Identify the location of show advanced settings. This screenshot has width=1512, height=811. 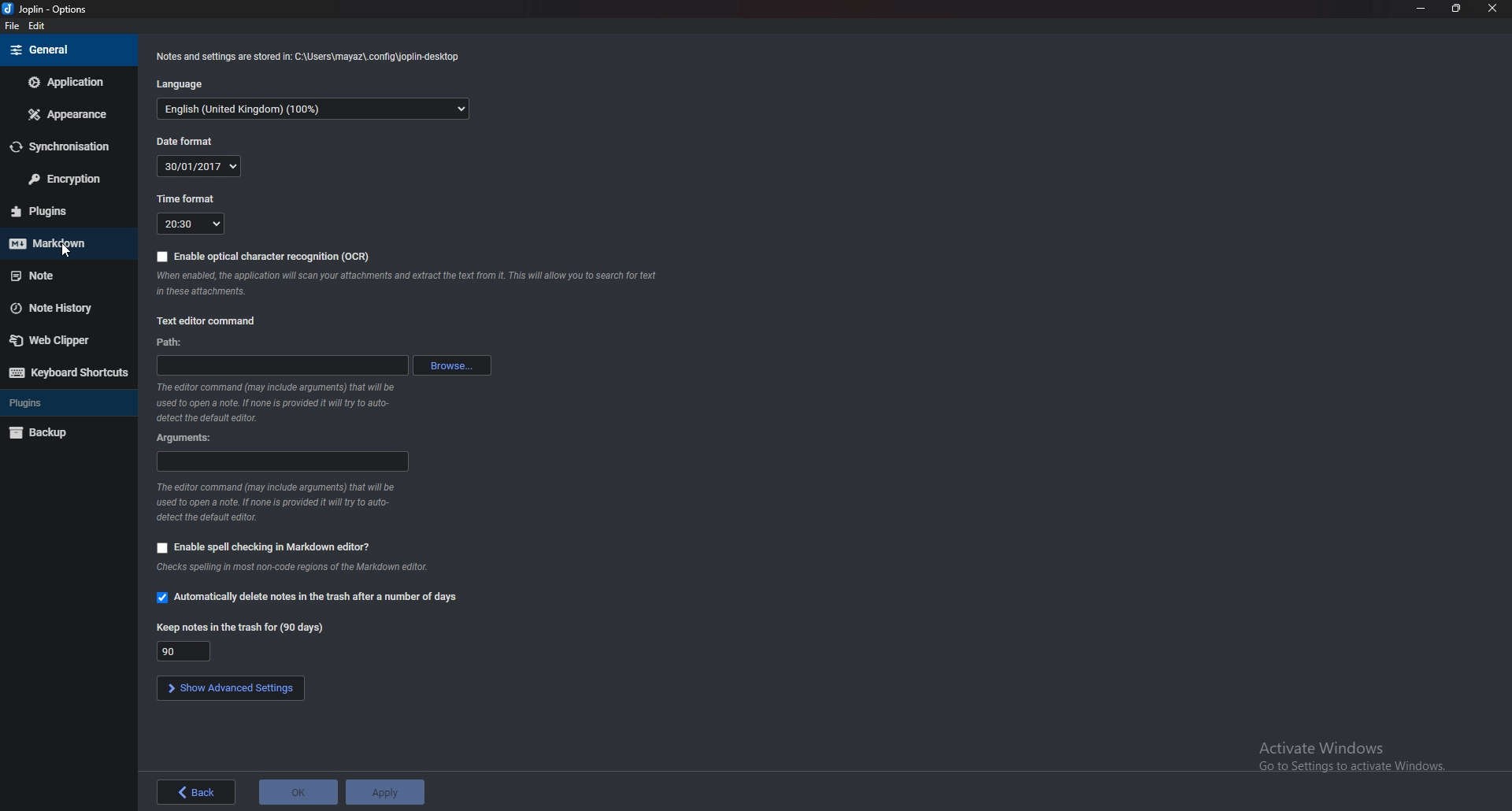
(230, 687).